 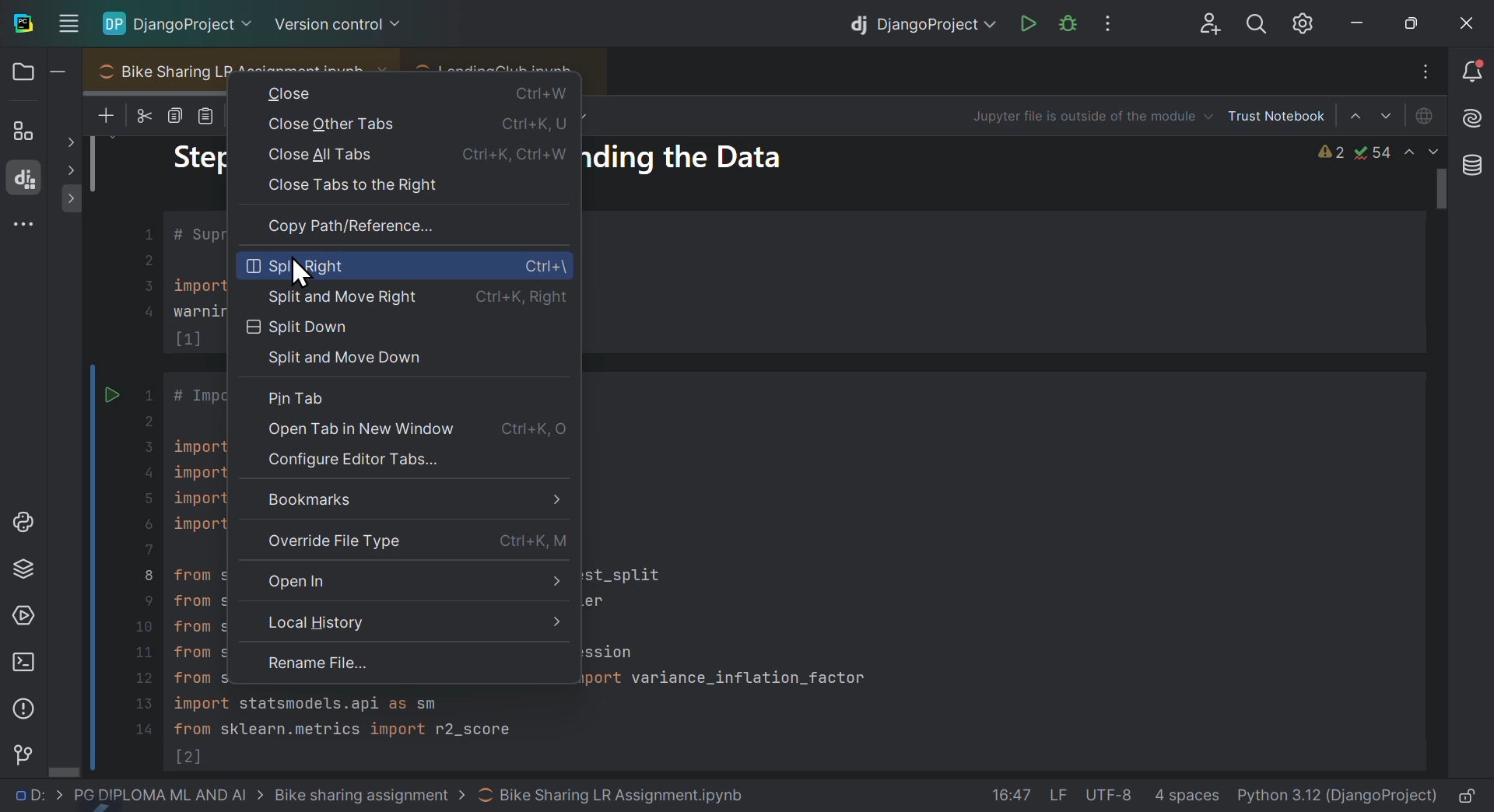 What do you see at coordinates (1354, 117) in the screenshot?
I see `Select sale above` at bounding box center [1354, 117].